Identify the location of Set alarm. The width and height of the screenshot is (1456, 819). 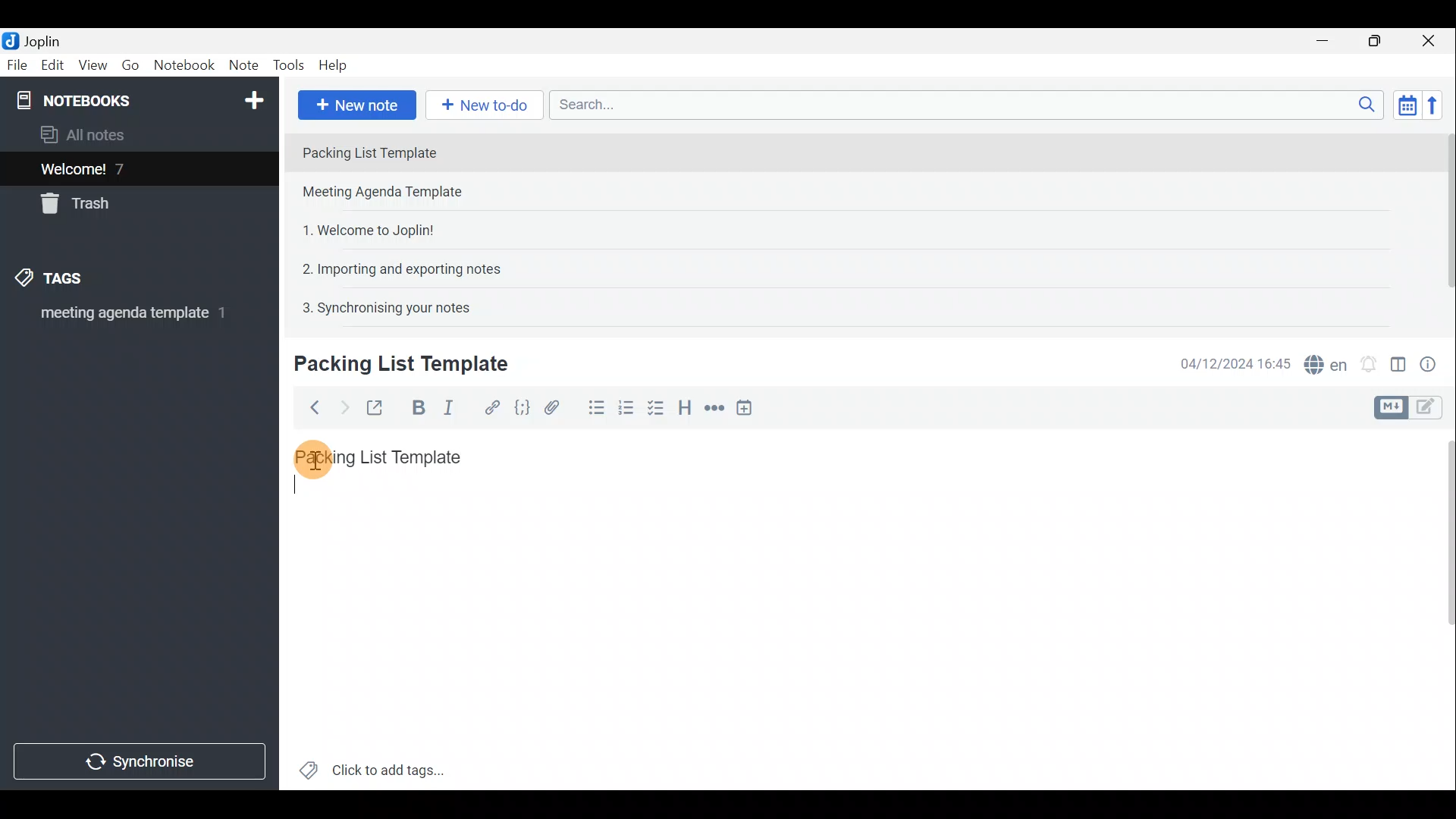
(1368, 360).